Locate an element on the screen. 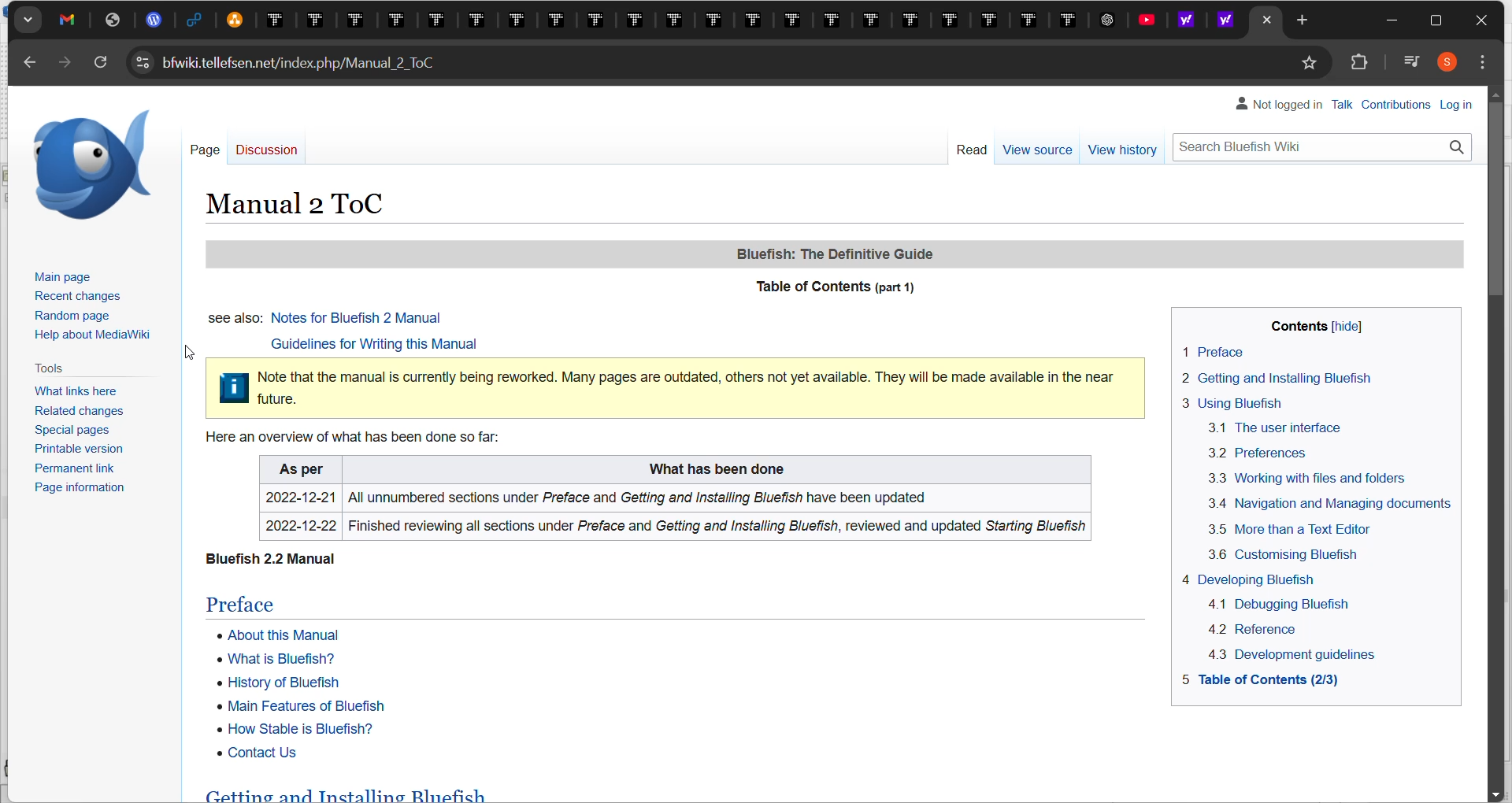 The image size is (1512, 803). Next page is located at coordinates (71, 65).